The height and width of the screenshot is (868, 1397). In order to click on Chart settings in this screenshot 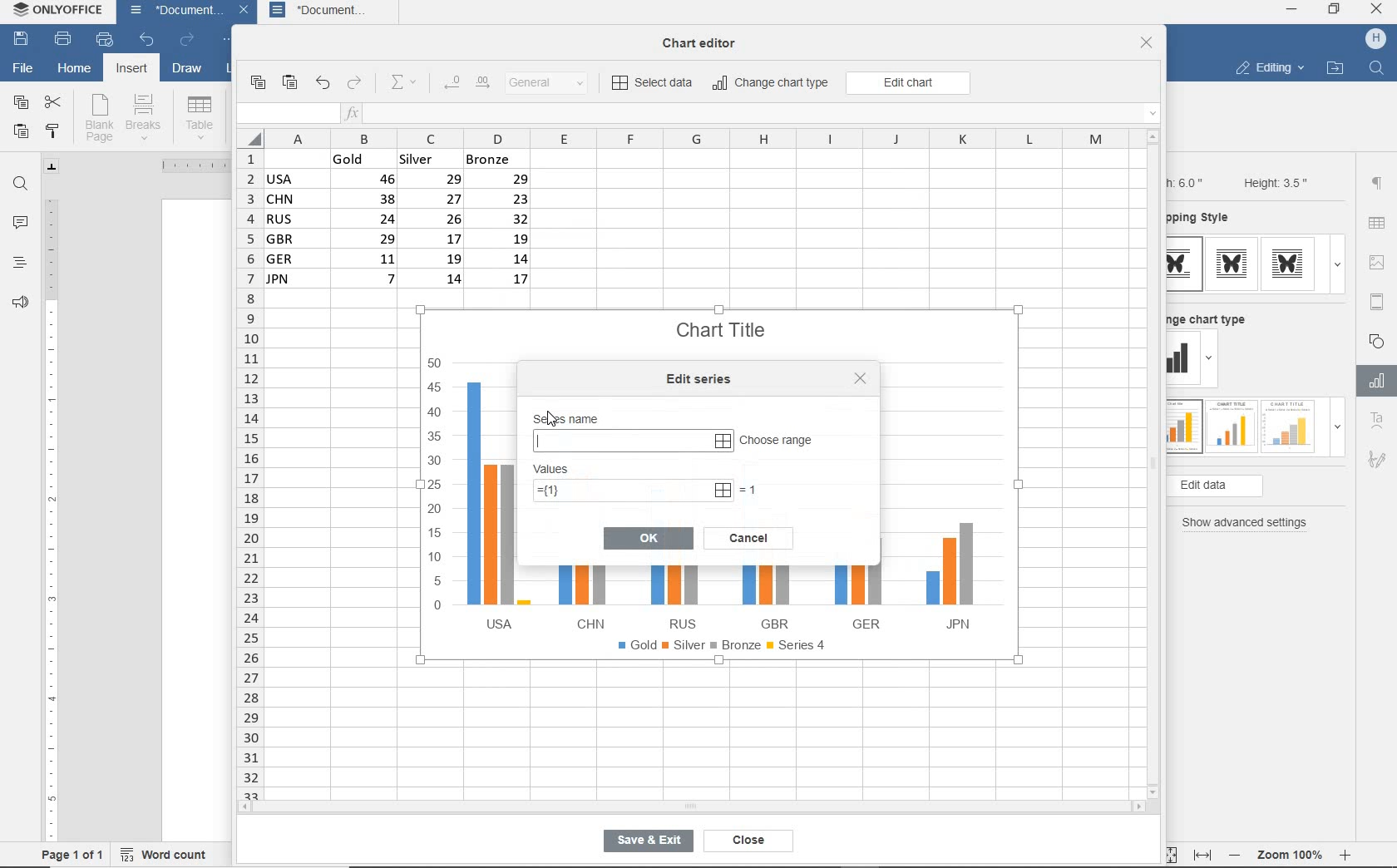, I will do `click(1374, 381)`.